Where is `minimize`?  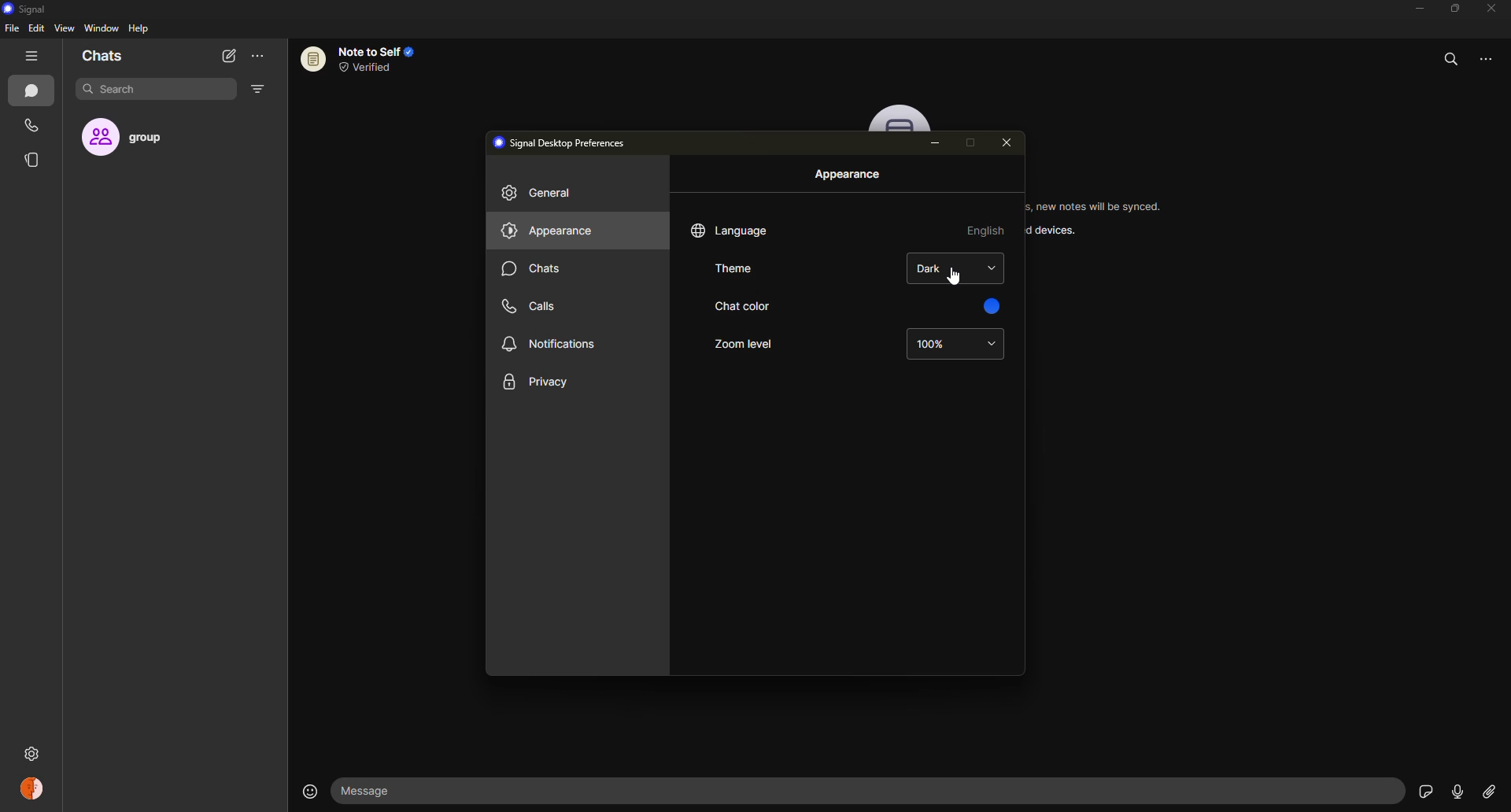 minimize is located at coordinates (937, 142).